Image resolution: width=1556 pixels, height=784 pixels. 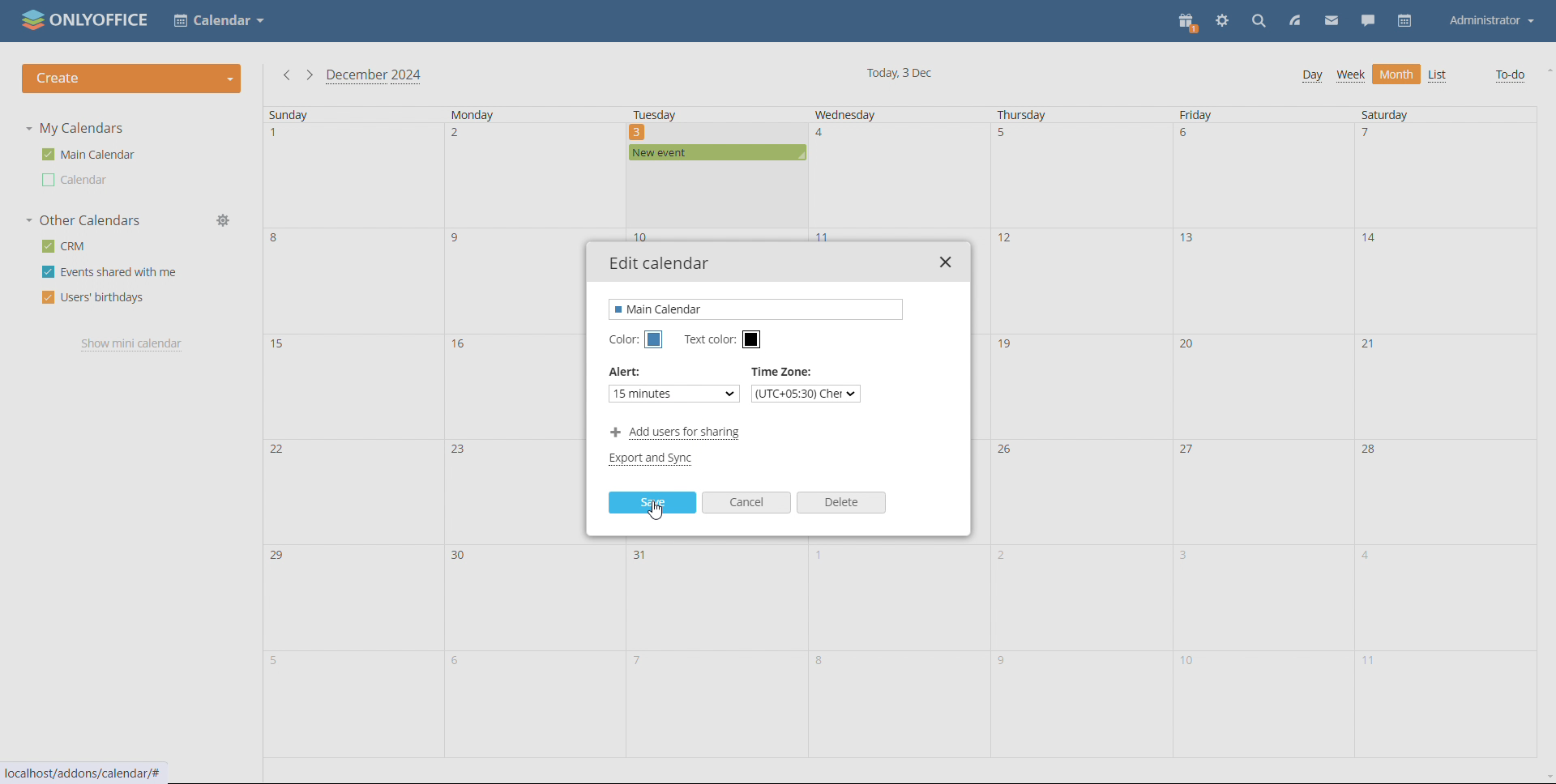 I want to click on events shared with me, so click(x=110, y=272).